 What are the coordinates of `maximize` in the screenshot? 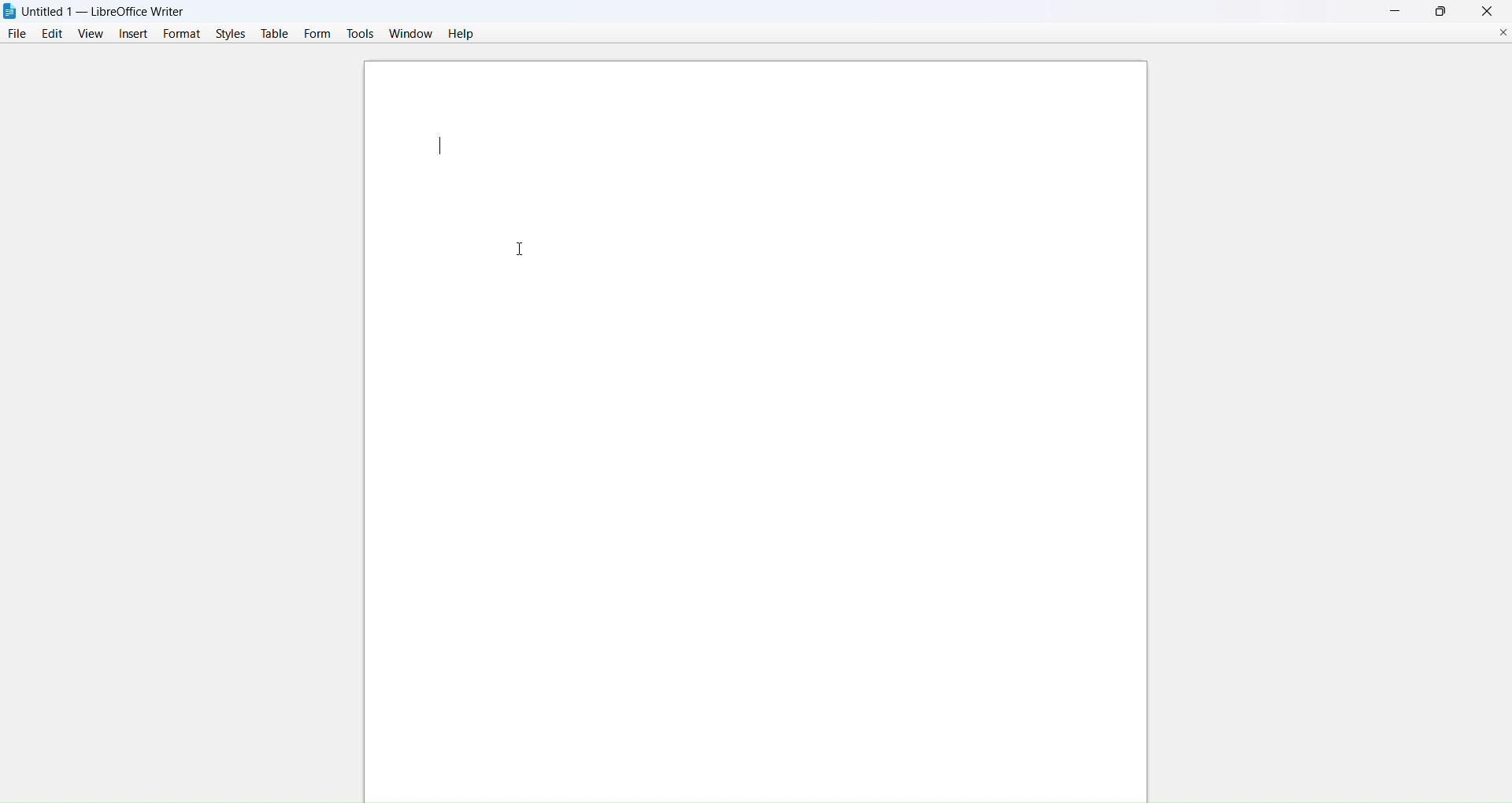 It's located at (1444, 9).